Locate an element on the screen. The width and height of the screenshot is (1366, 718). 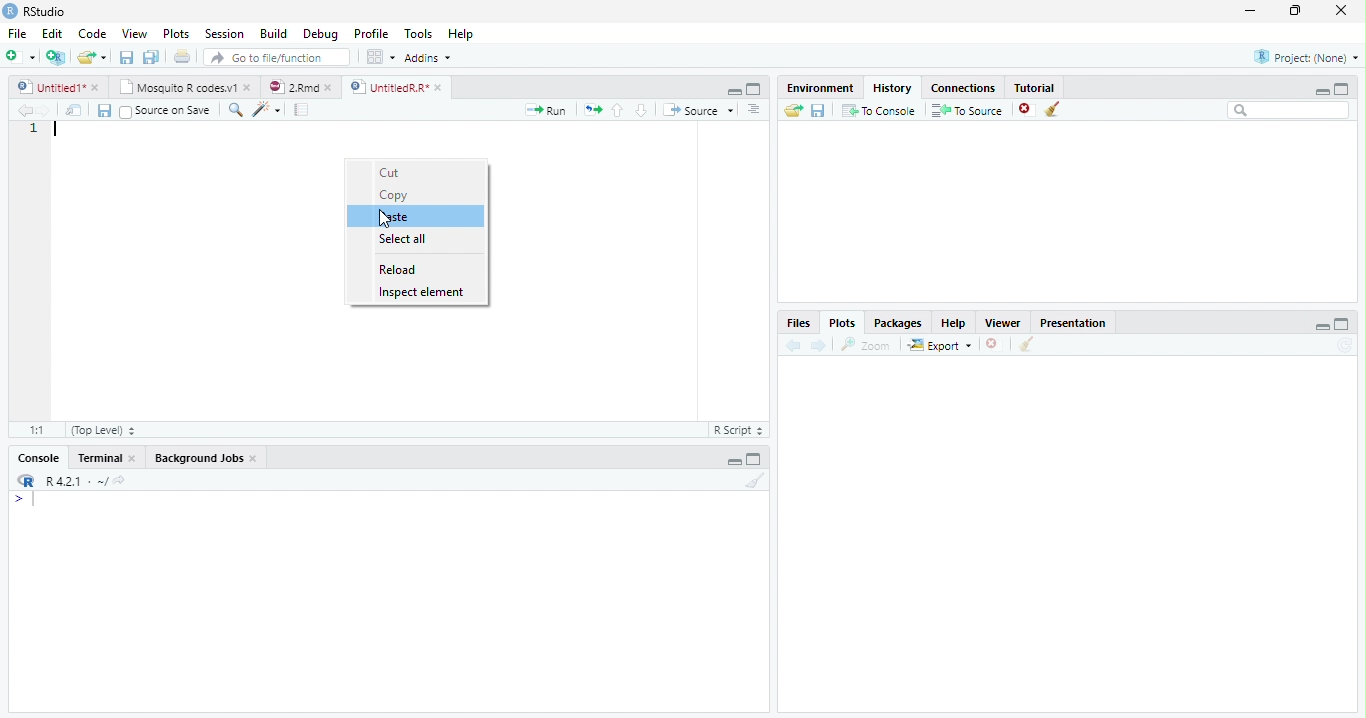
Select all is located at coordinates (406, 237).